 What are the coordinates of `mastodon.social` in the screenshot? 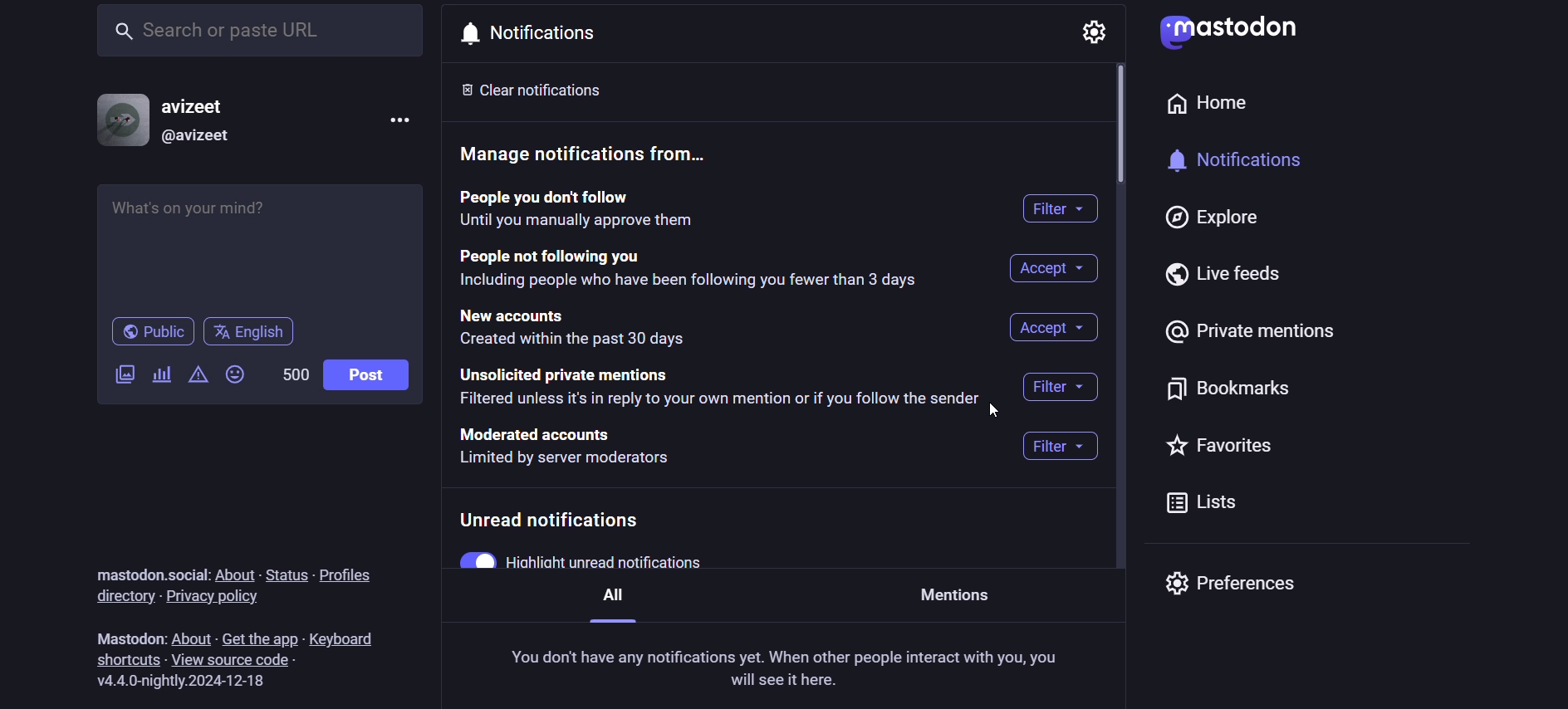 It's located at (156, 570).